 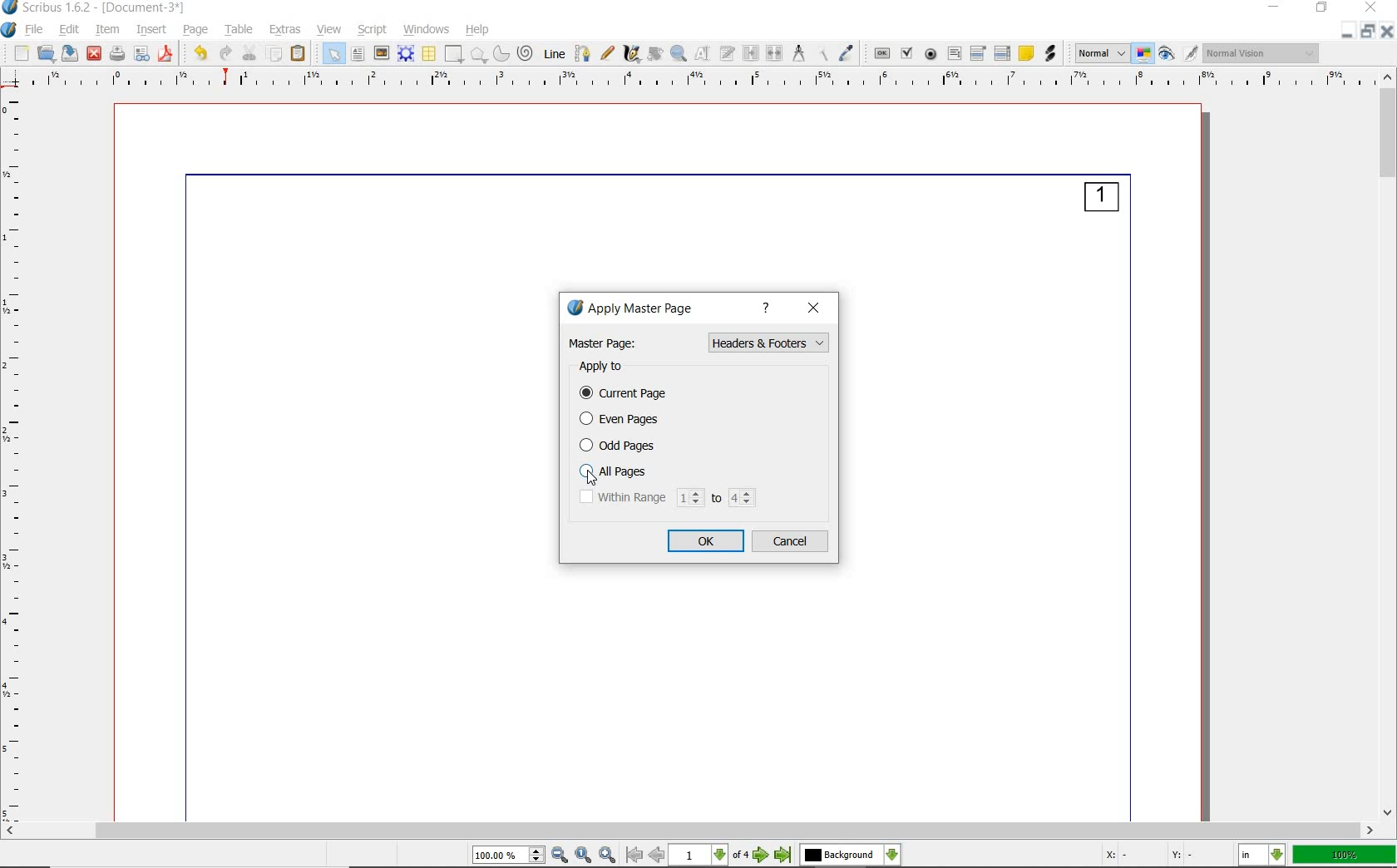 I want to click on go to previous page, so click(x=658, y=856).